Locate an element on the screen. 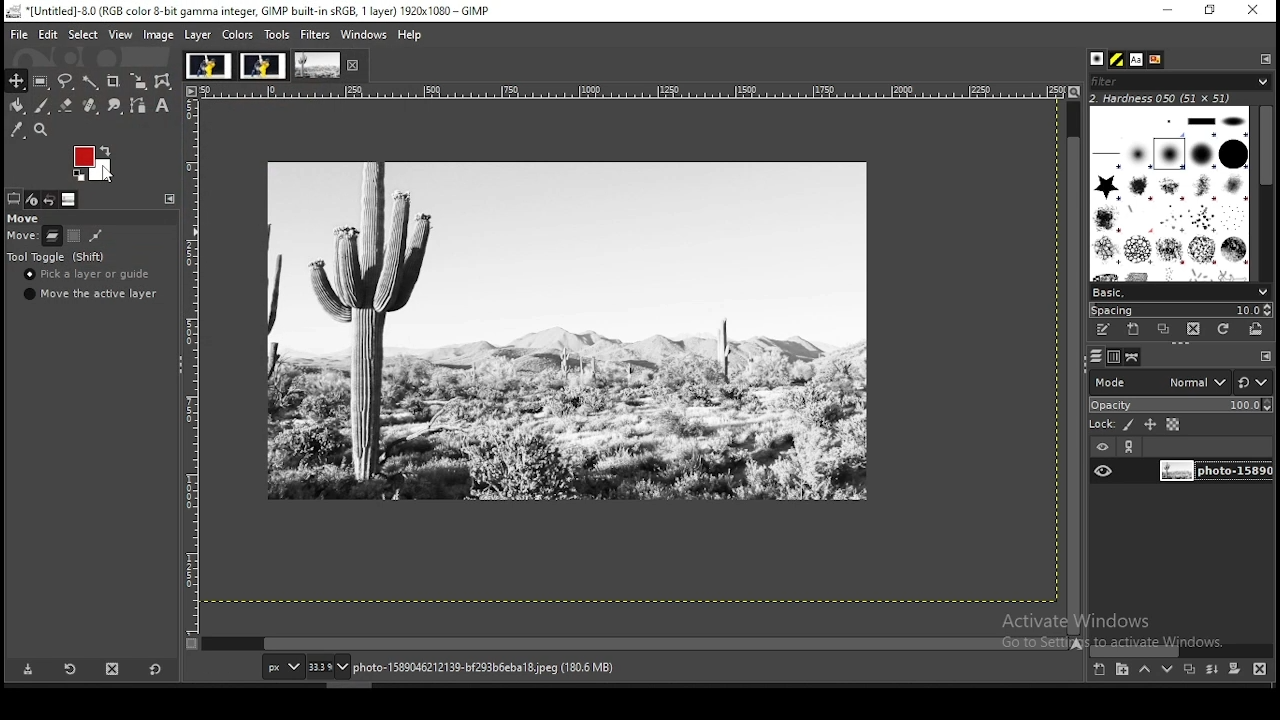 The image size is (1280, 720). new layer is located at coordinates (1101, 671).